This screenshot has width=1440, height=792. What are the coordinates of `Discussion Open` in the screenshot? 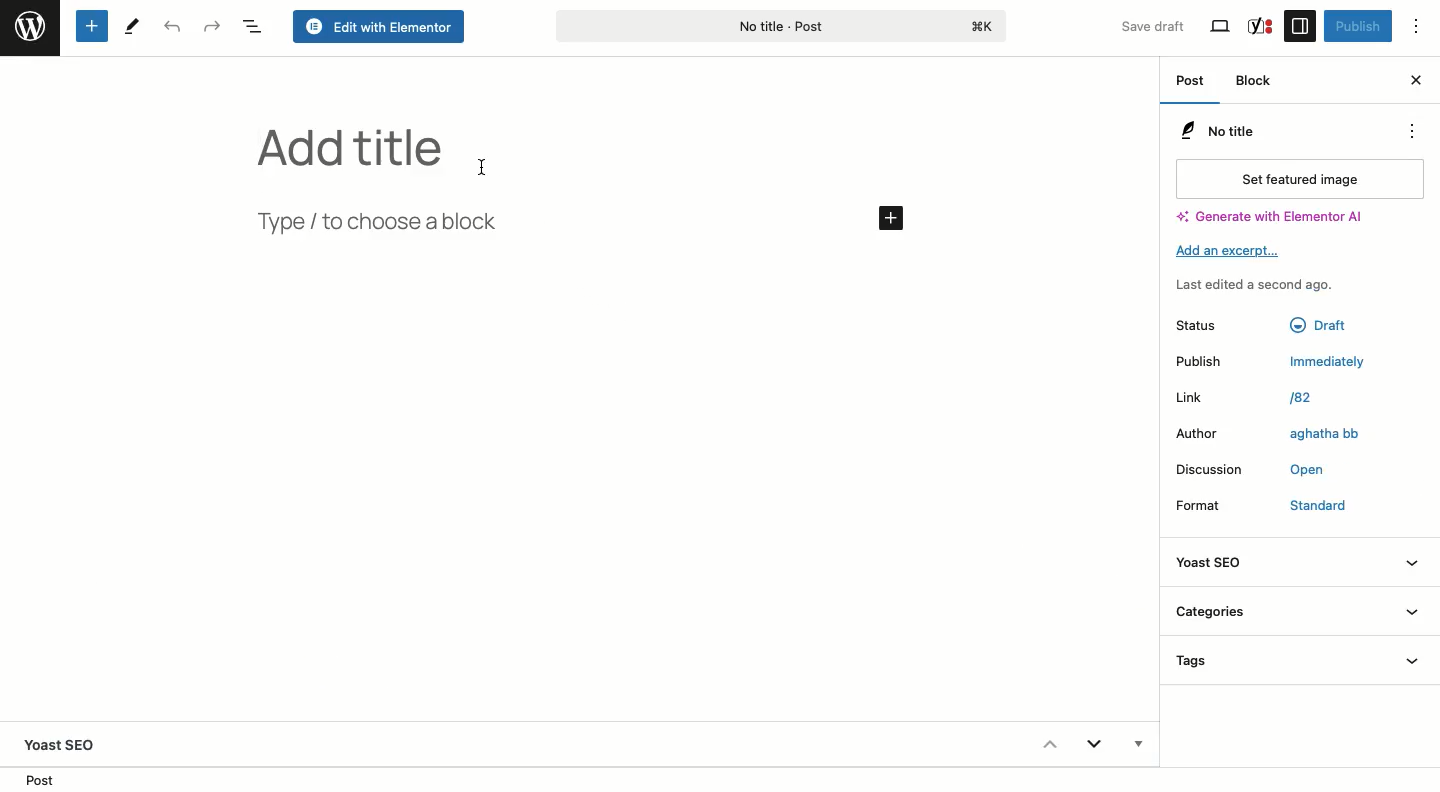 It's located at (1215, 471).